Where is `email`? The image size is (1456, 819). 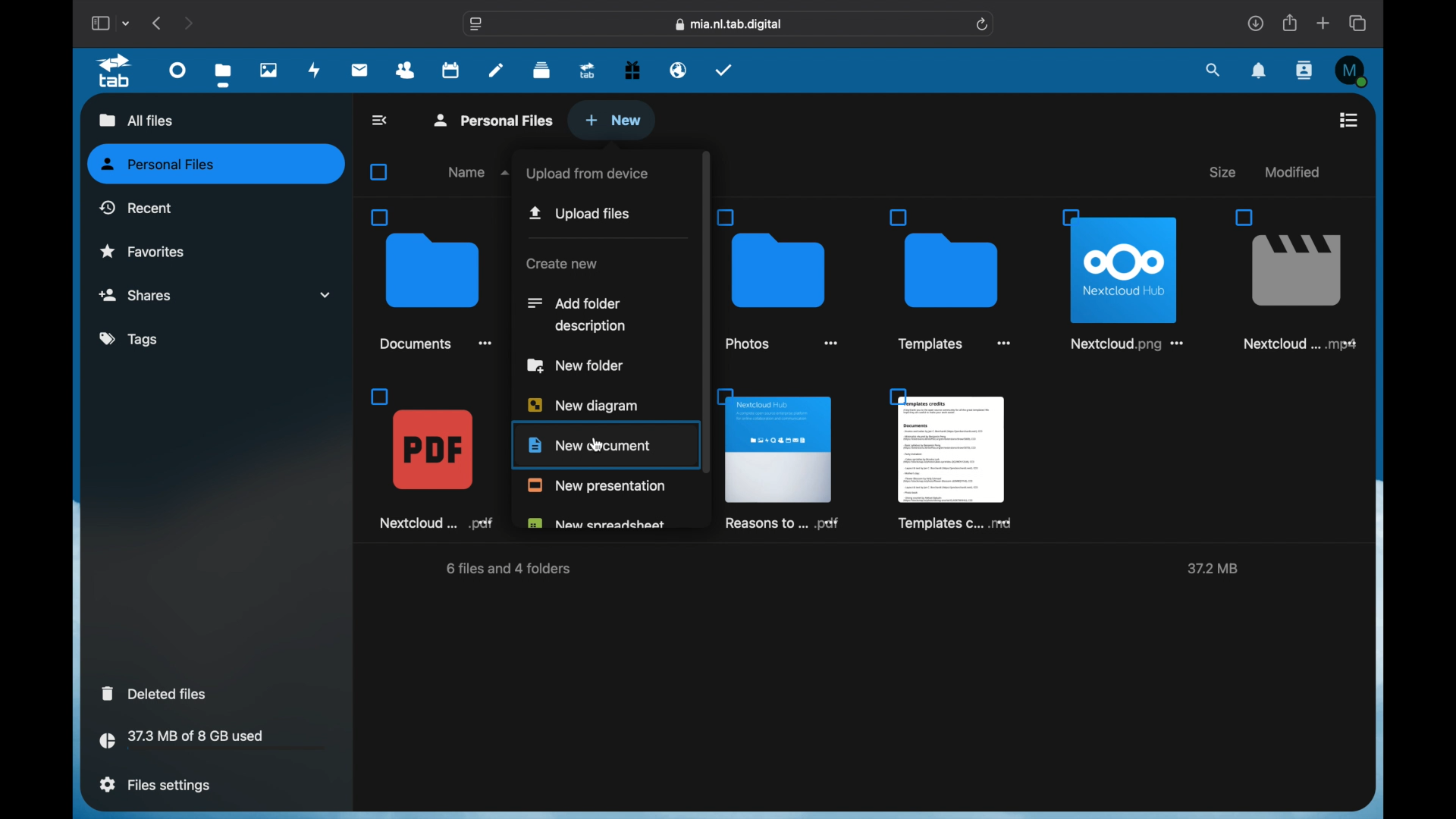 email is located at coordinates (679, 71).